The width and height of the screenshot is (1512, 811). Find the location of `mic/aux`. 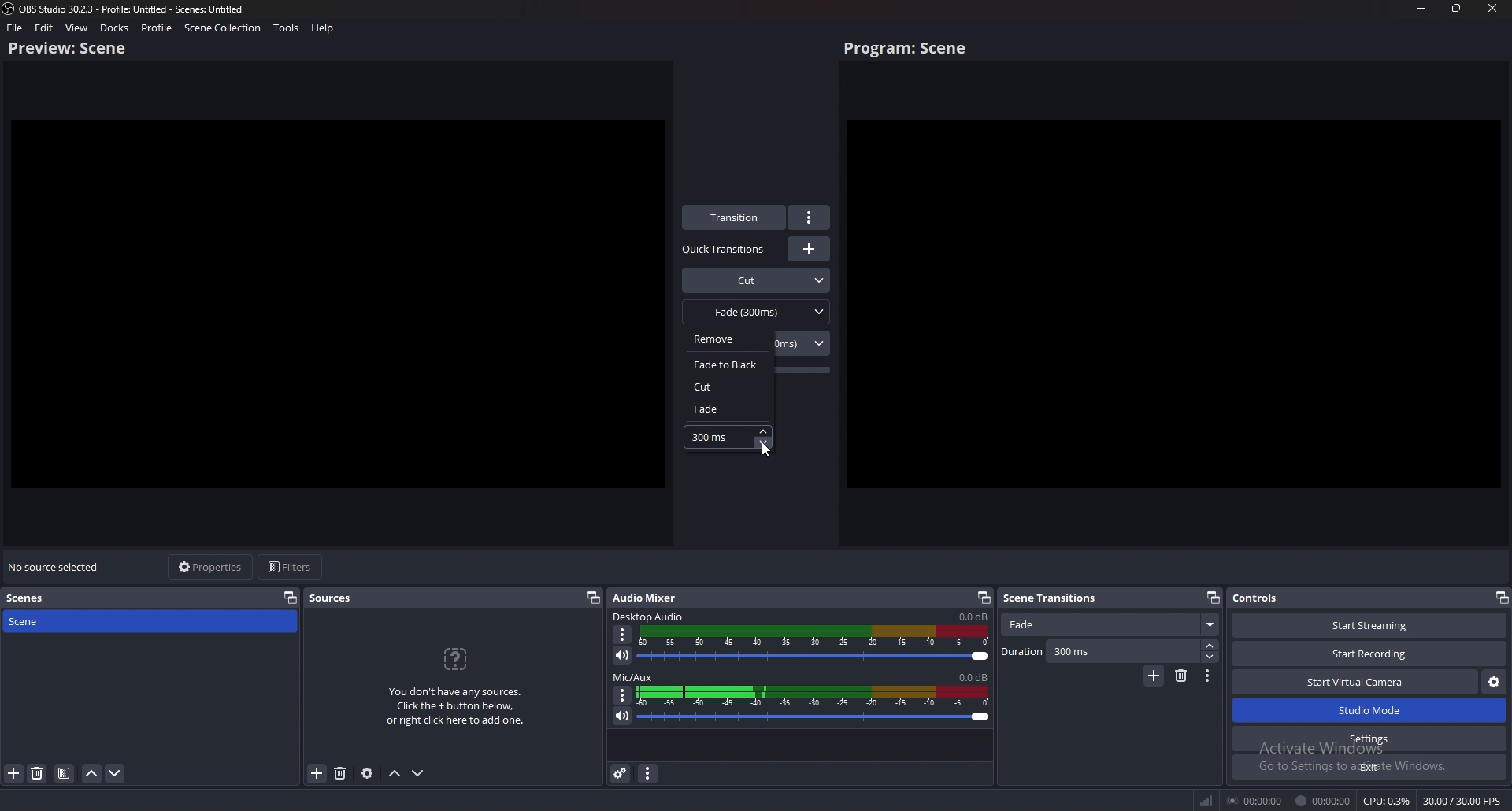

mic/aux is located at coordinates (636, 676).